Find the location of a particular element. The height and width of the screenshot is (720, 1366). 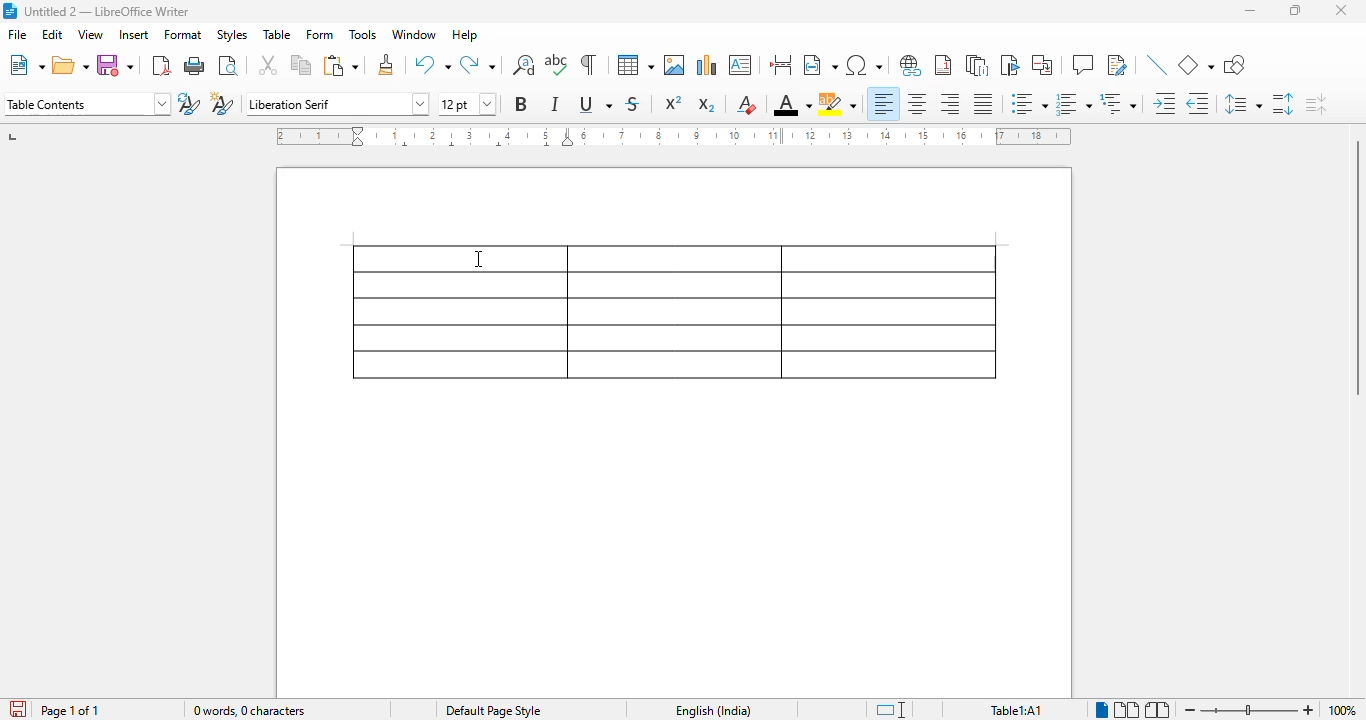

save is located at coordinates (115, 65).